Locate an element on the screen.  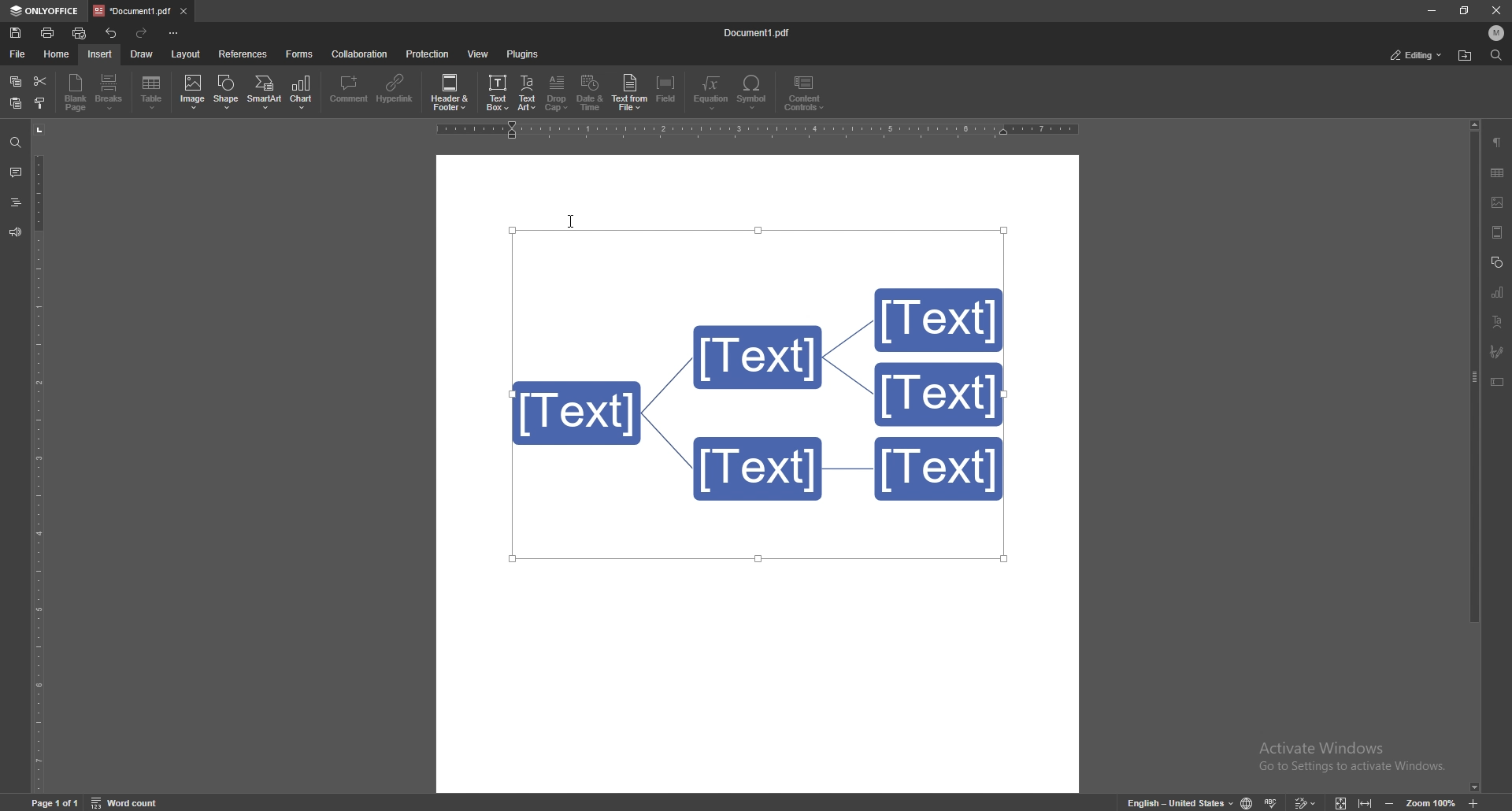
redo is located at coordinates (142, 33).